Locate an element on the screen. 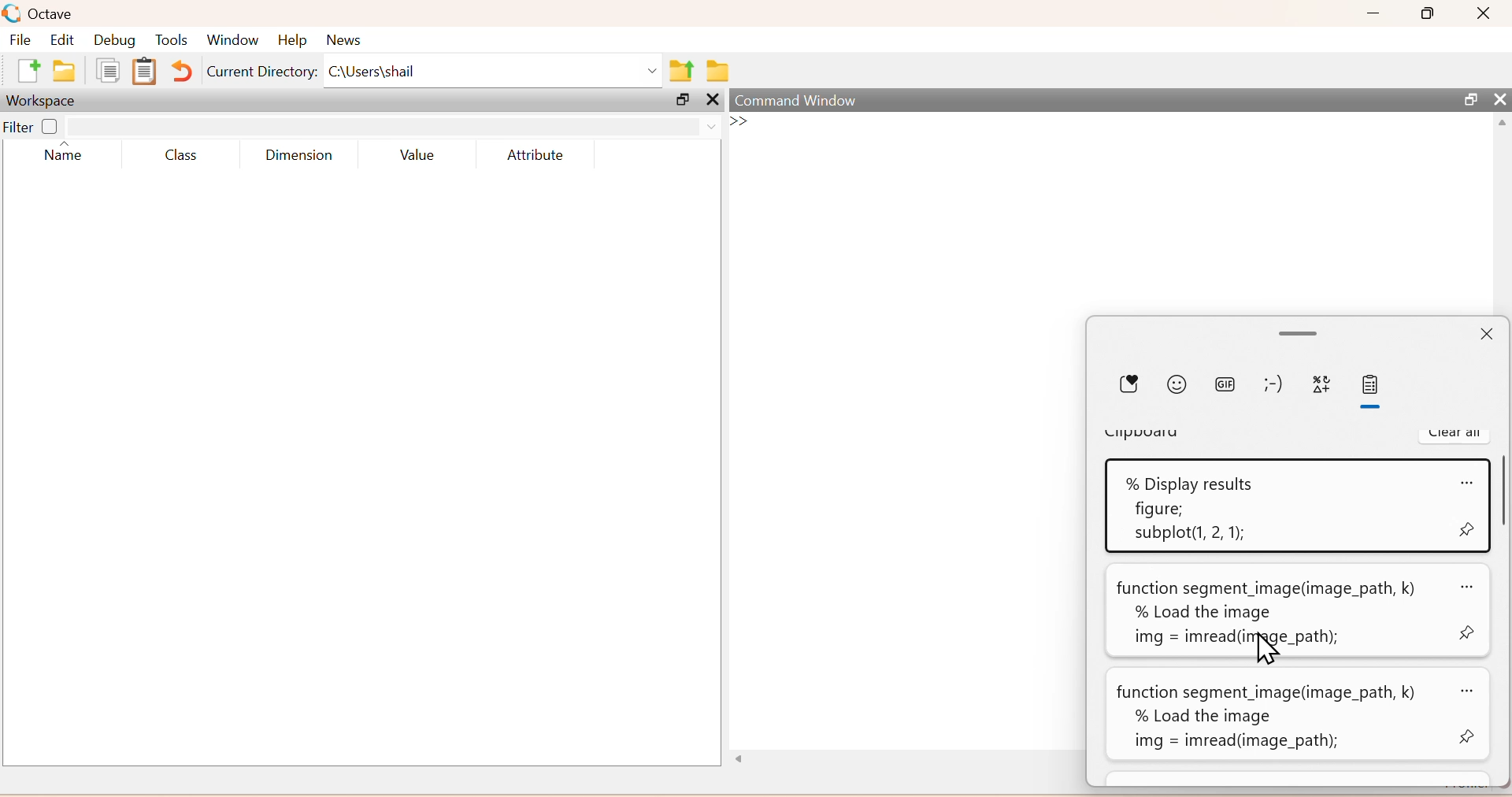 The width and height of the screenshot is (1512, 797). News is located at coordinates (342, 42).